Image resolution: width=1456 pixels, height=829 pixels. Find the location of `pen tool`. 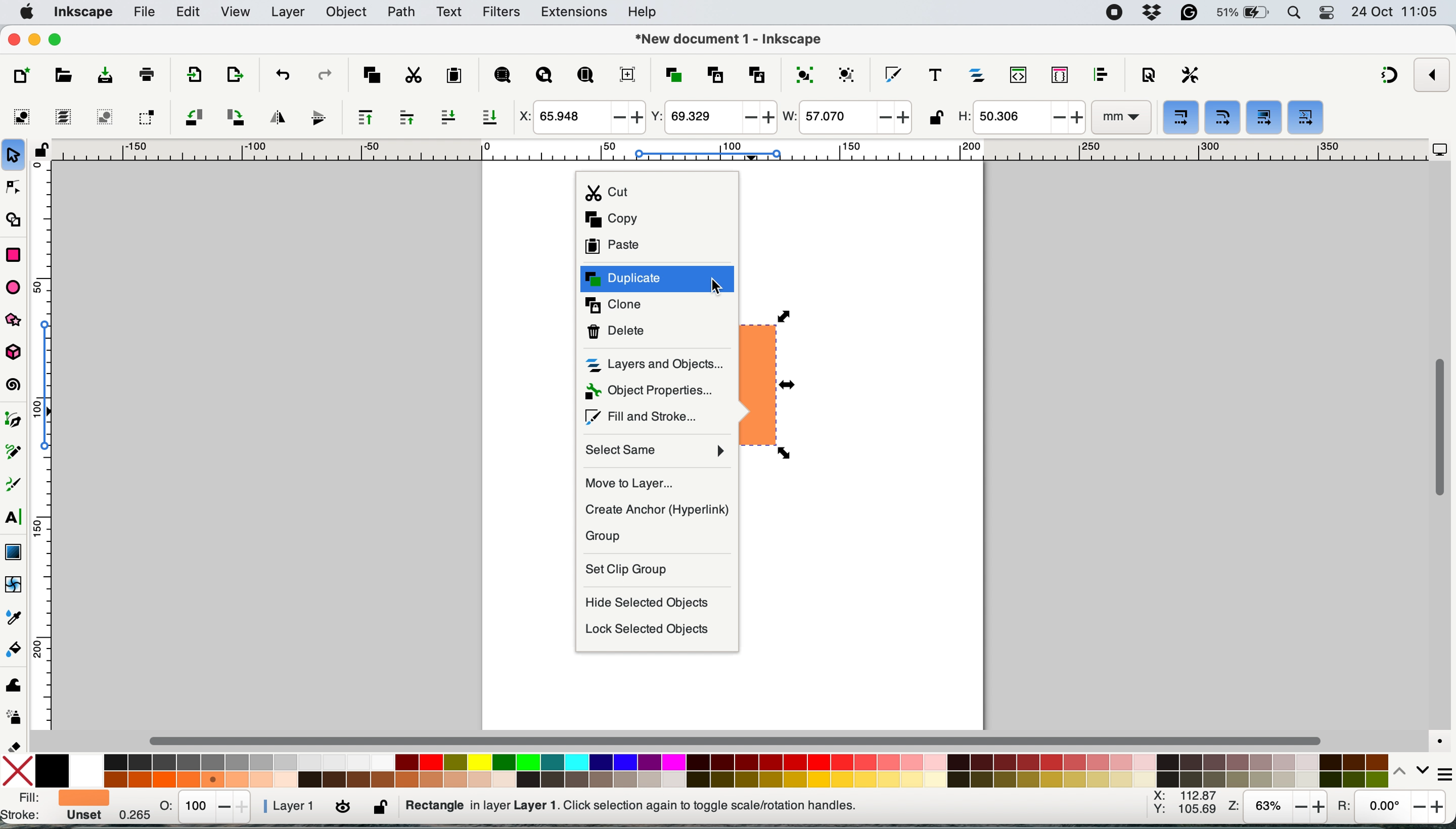

pen tool is located at coordinates (16, 420).